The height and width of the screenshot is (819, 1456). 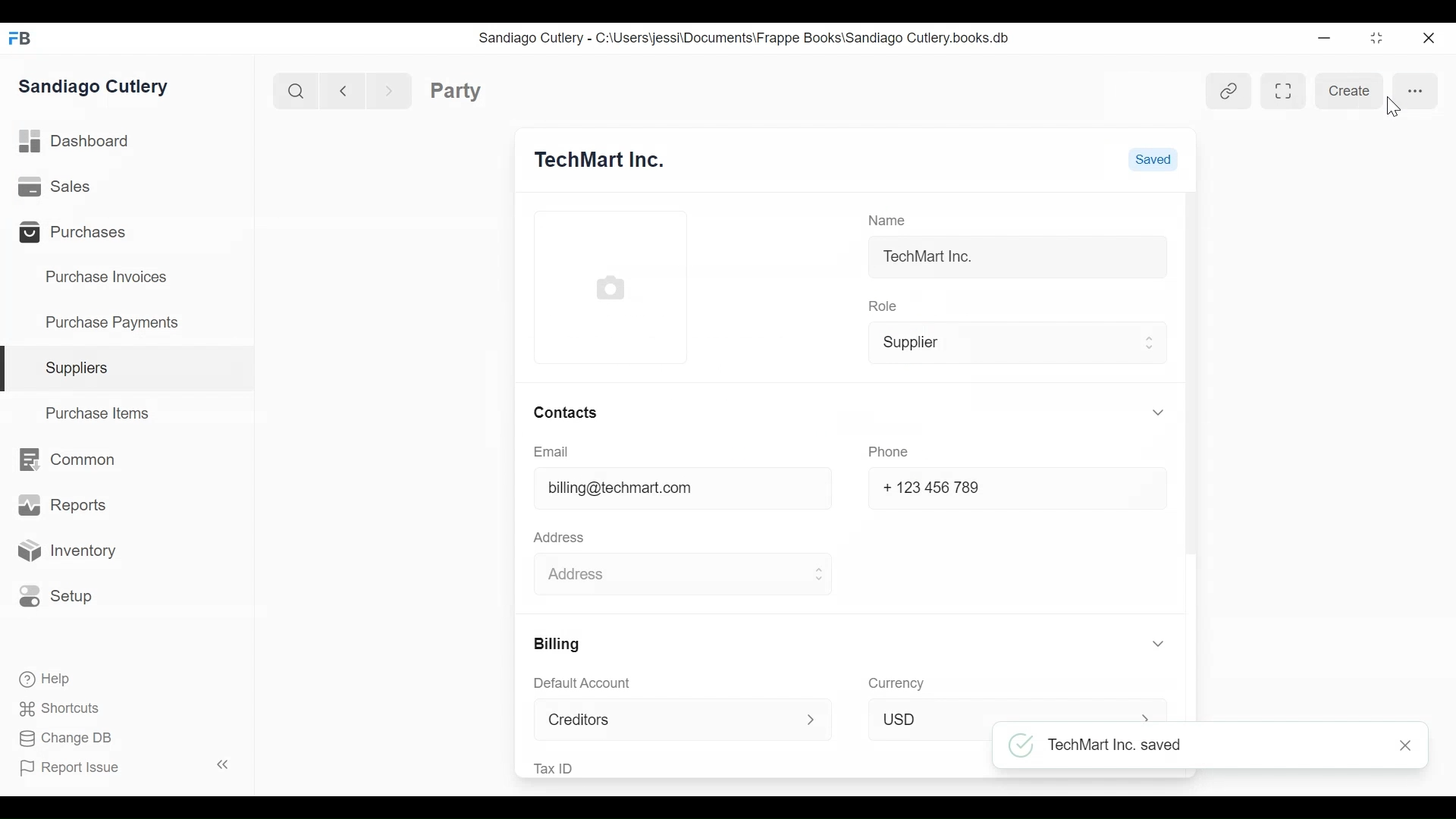 I want to click on close, so click(x=1401, y=745).